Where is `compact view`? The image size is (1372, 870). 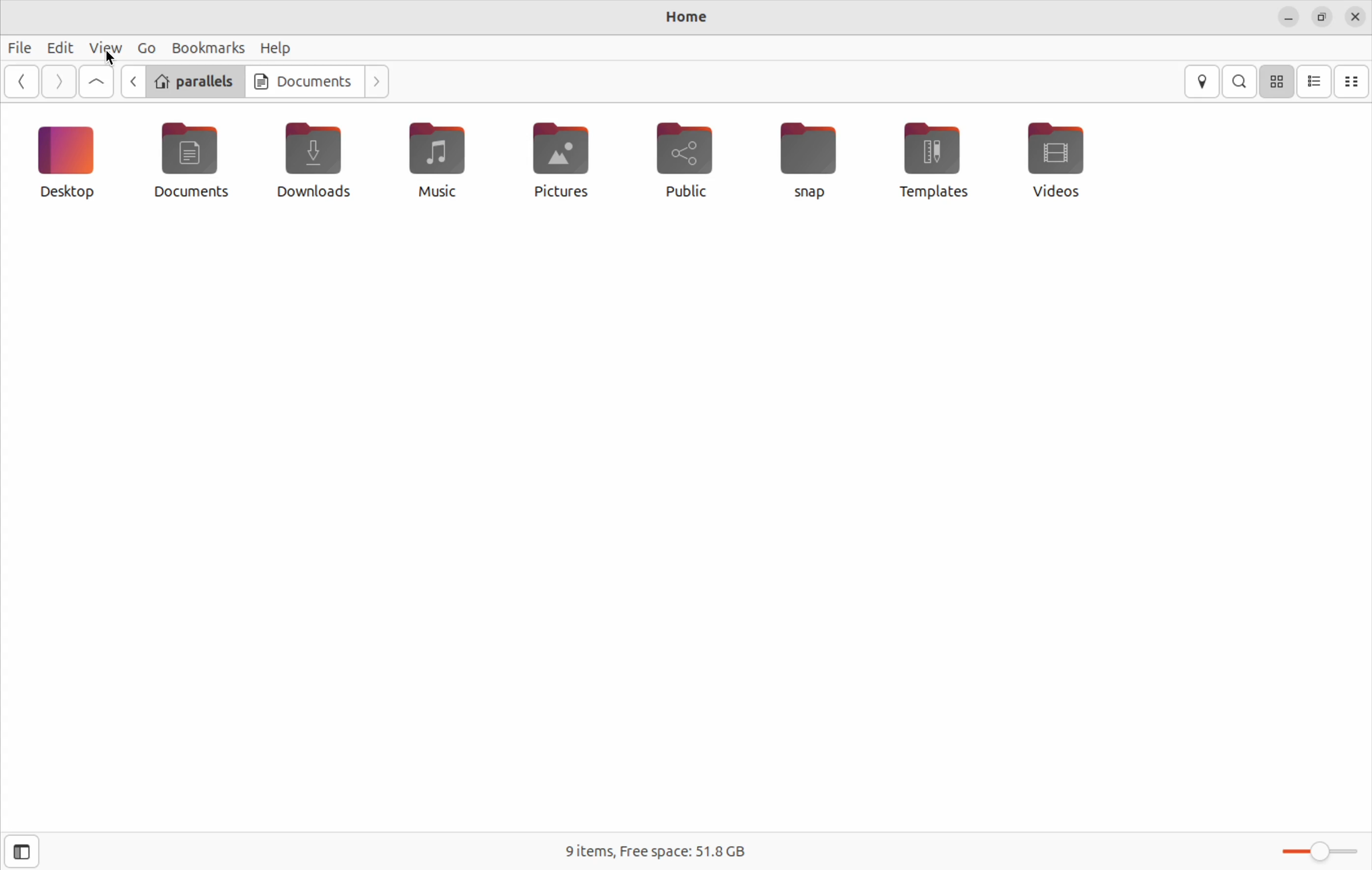
compact view is located at coordinates (1353, 80).